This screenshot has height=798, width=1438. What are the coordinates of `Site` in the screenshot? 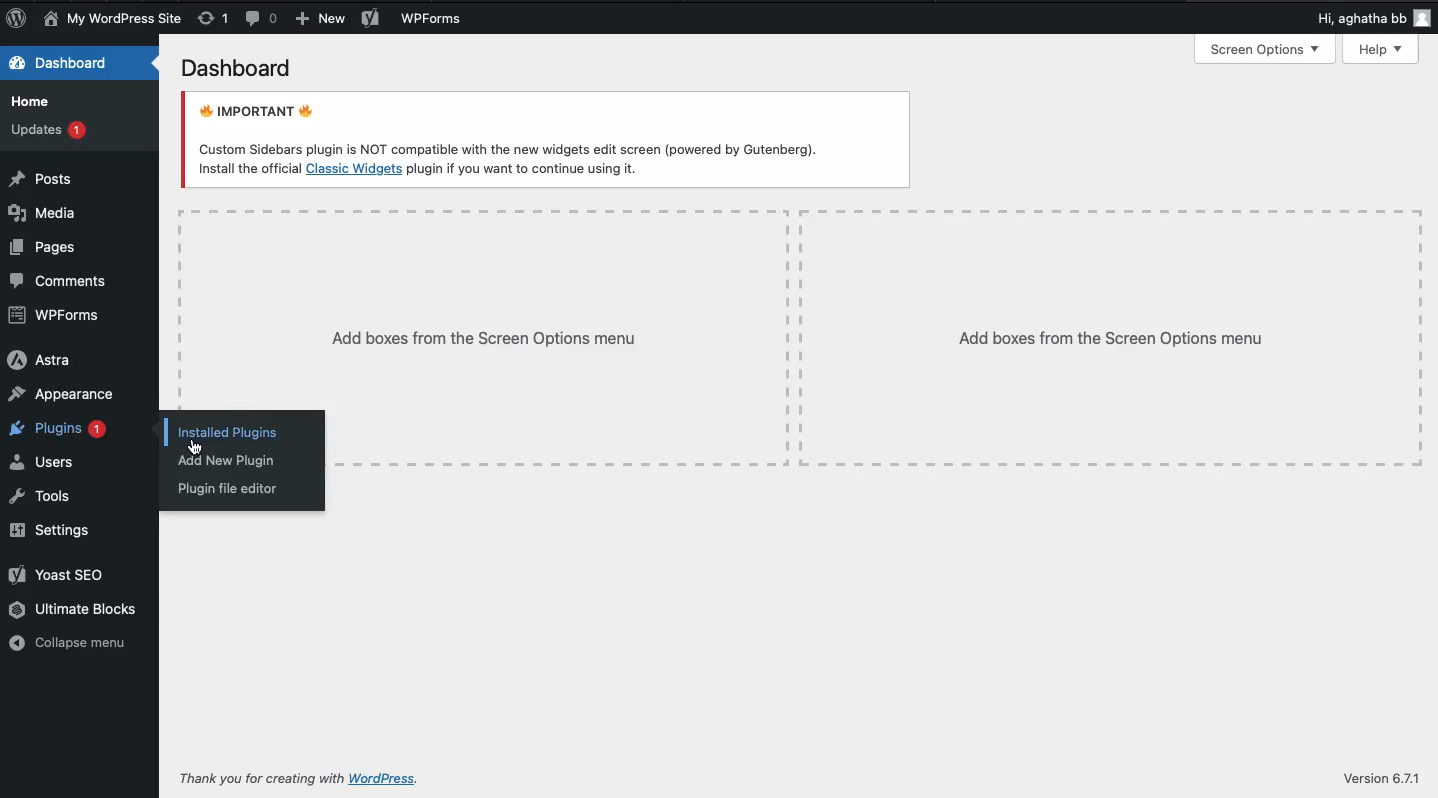 It's located at (113, 19).